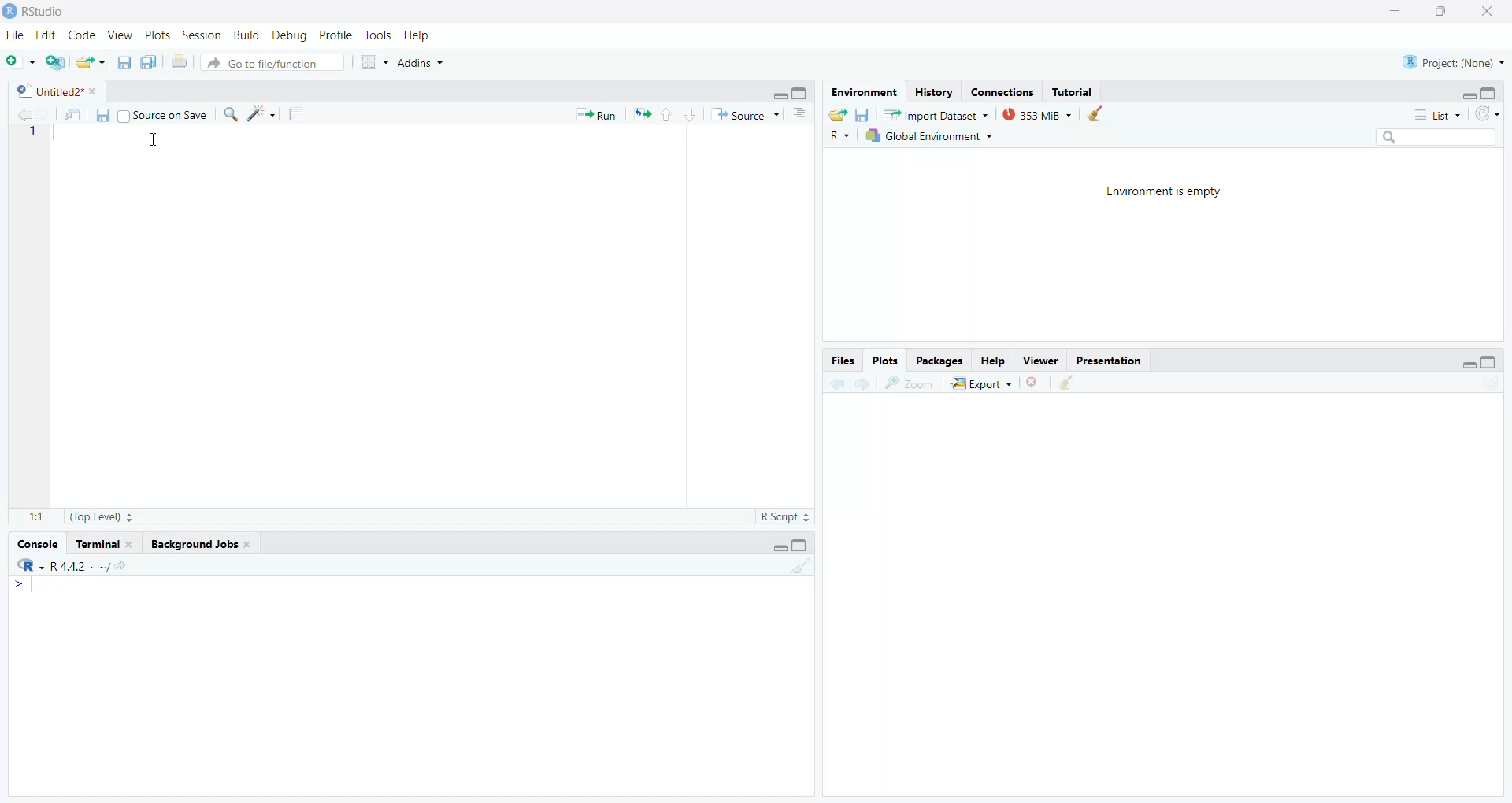  Describe the element at coordinates (805, 546) in the screenshot. I see `hide console` at that location.